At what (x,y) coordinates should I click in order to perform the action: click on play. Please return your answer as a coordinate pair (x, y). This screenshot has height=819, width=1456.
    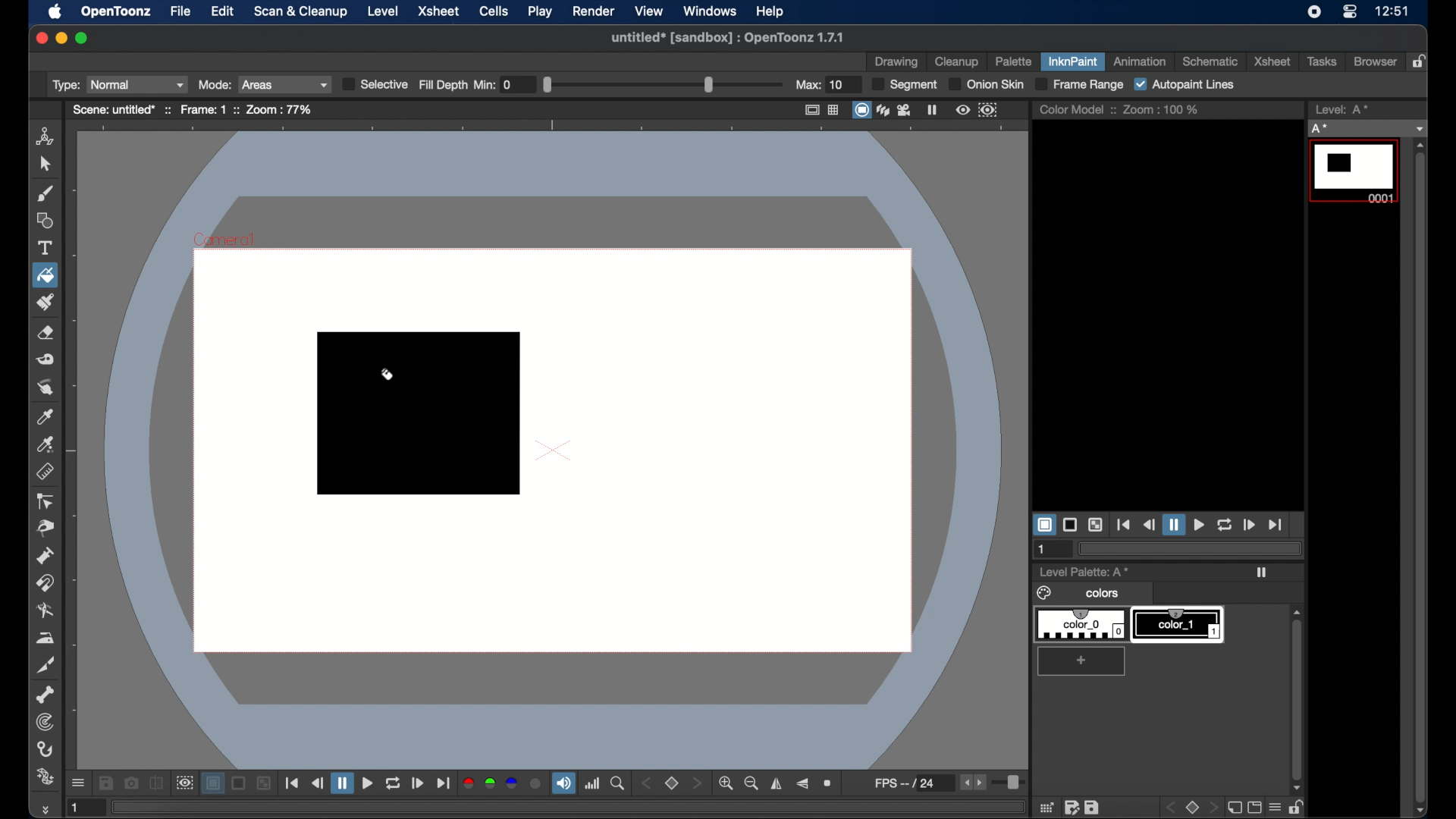
    Looking at the image, I should click on (1198, 526).